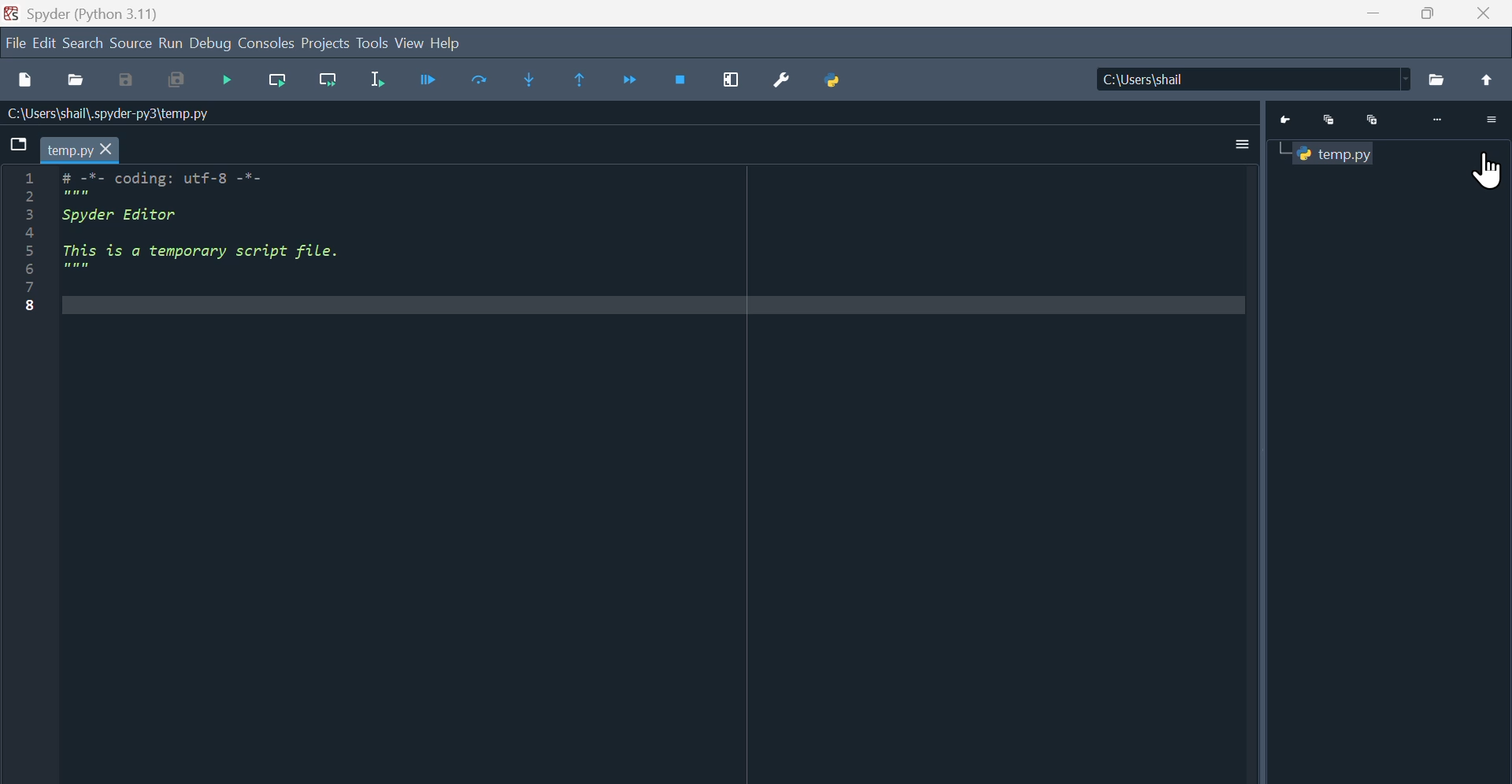  Describe the element at coordinates (1243, 142) in the screenshot. I see `More options` at that location.